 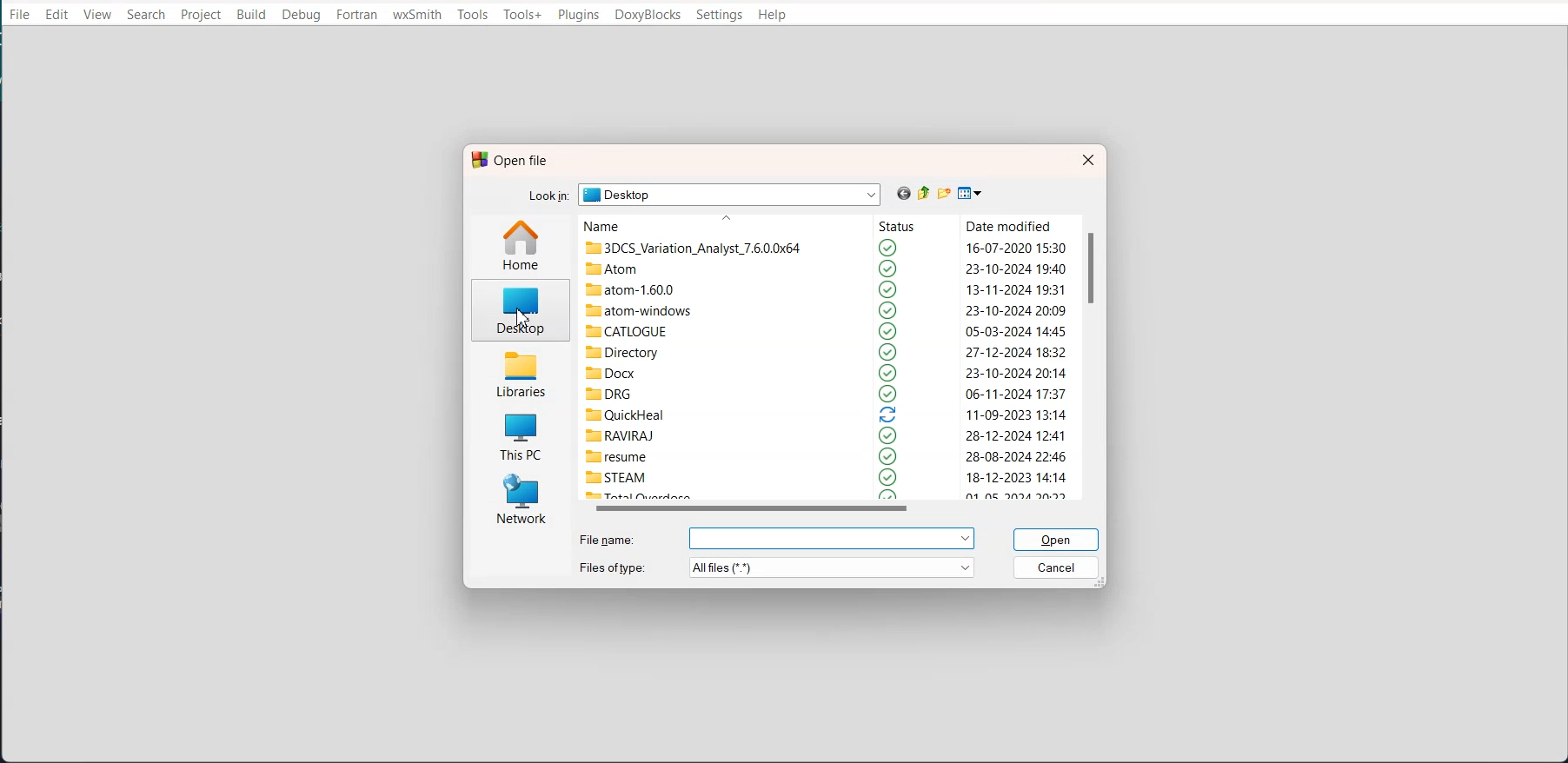 I want to click on Files, so click(x=827, y=368).